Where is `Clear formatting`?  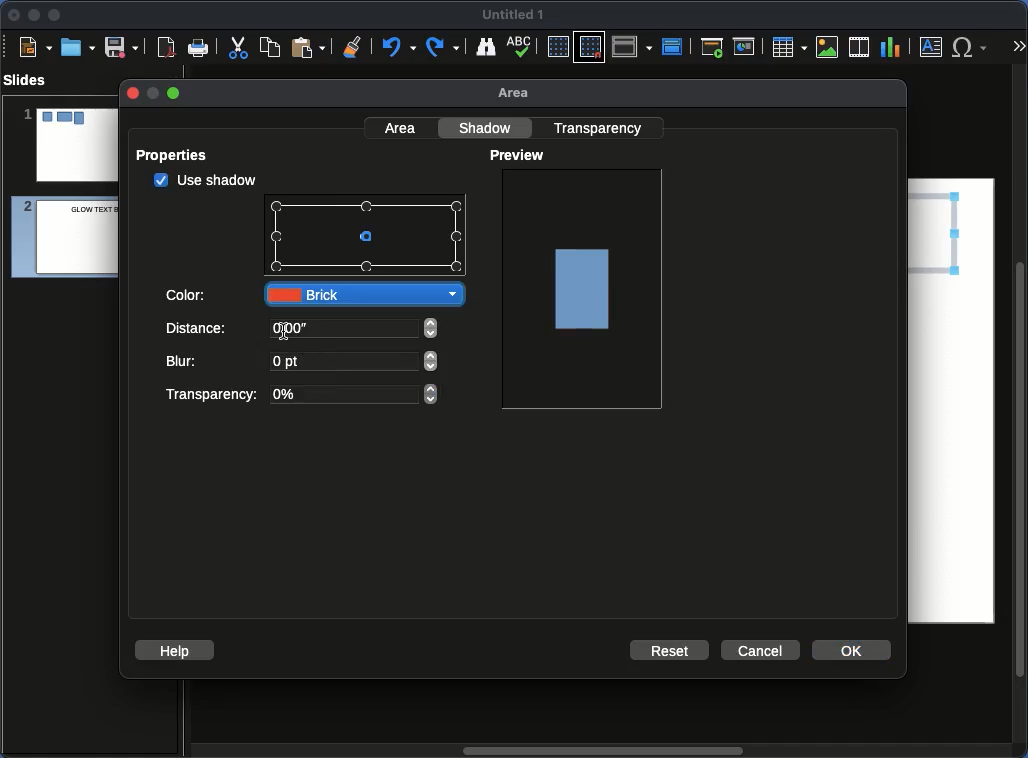 Clear formatting is located at coordinates (353, 45).